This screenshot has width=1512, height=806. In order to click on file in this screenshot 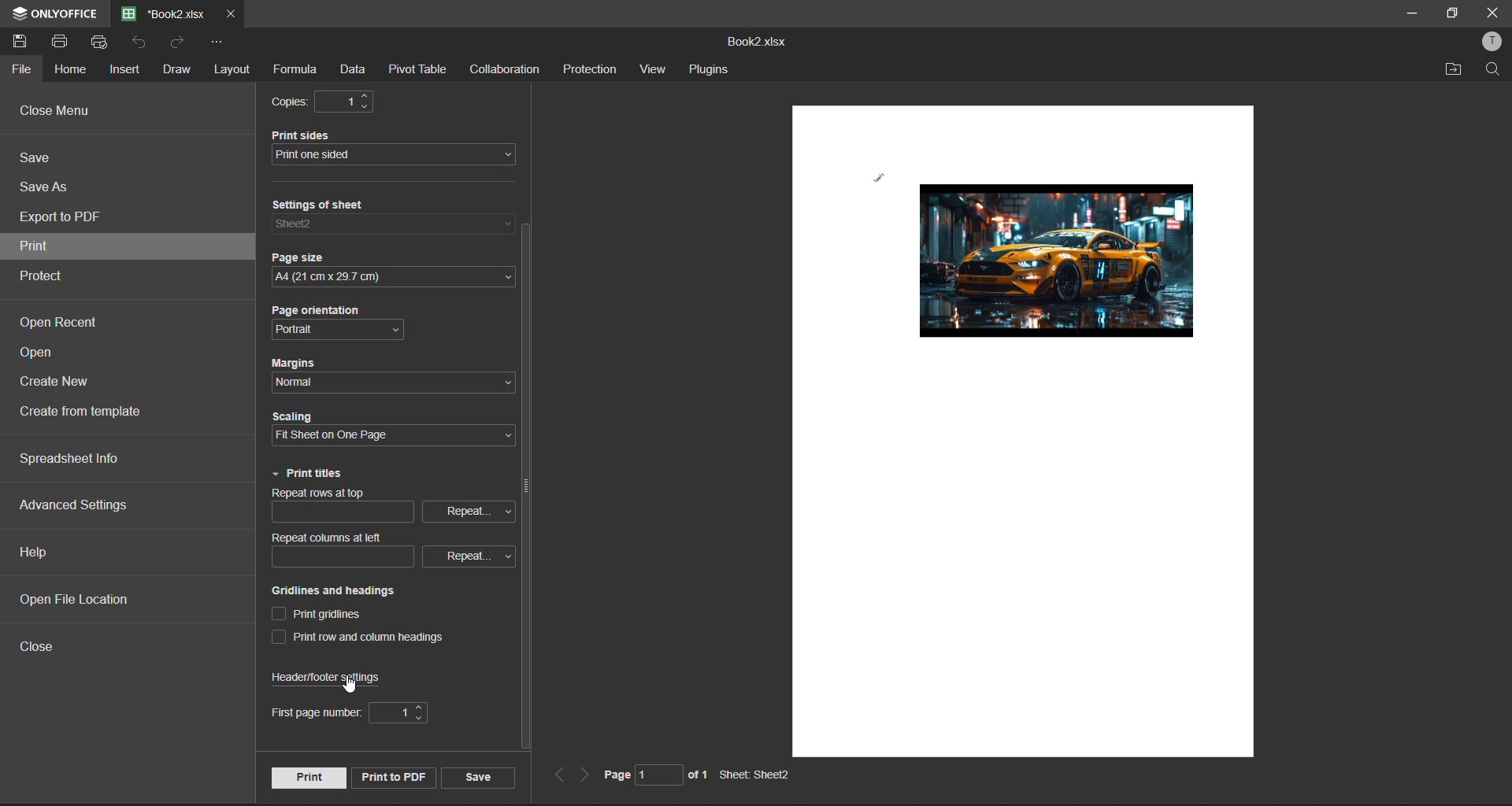, I will do `click(20, 69)`.